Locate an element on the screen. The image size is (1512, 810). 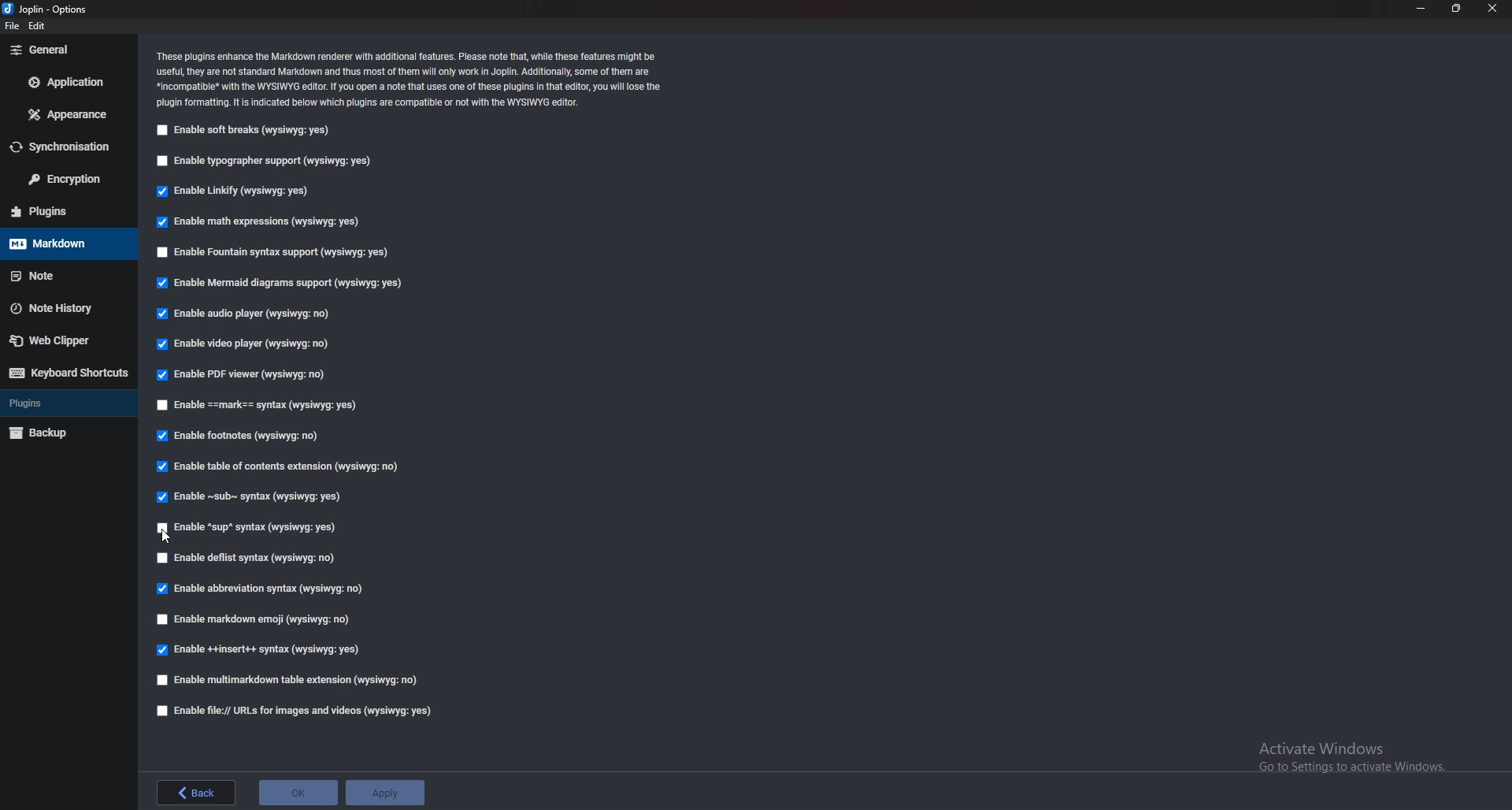
Application is located at coordinates (72, 82).